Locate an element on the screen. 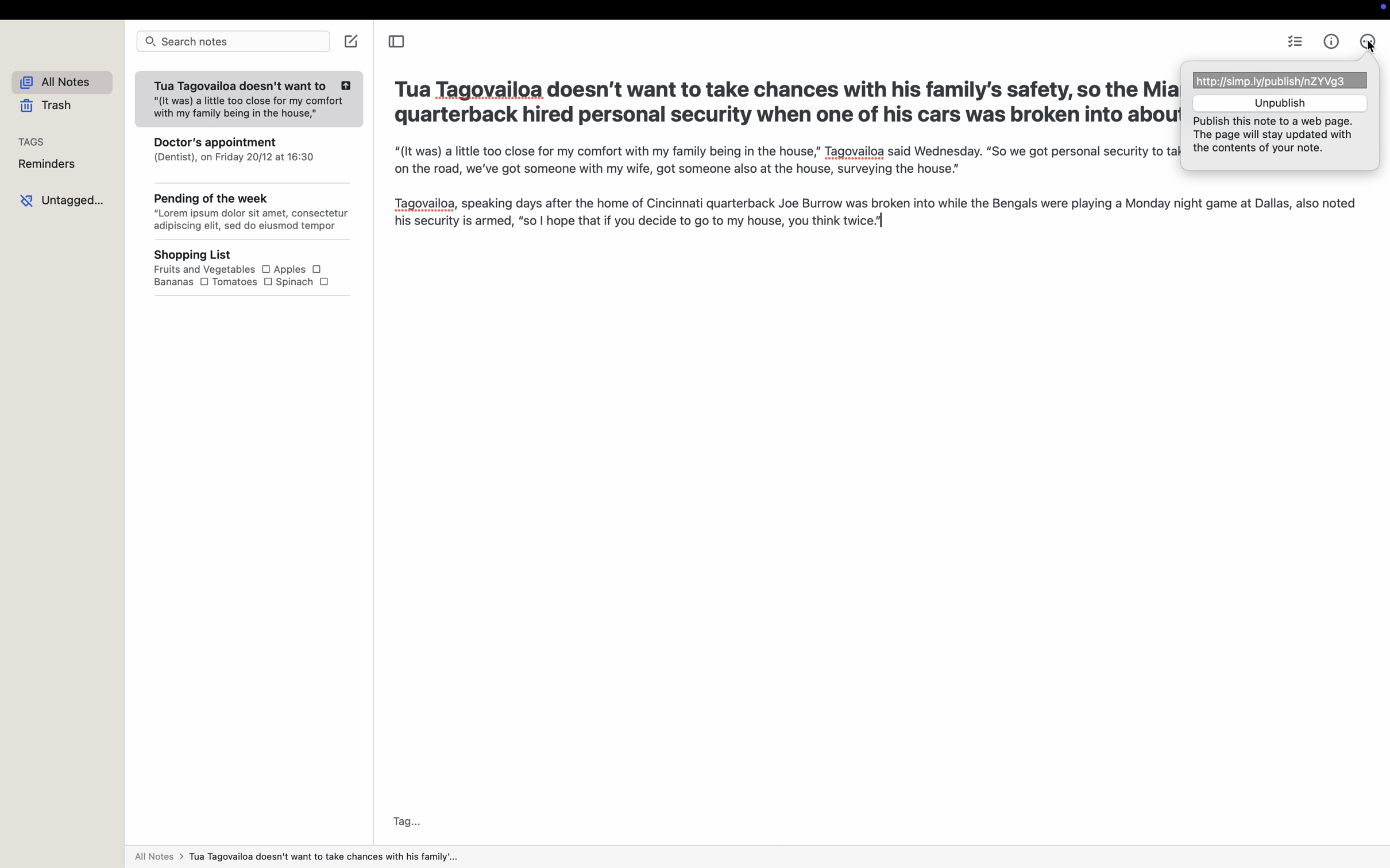  cursor is located at coordinates (1368, 42).